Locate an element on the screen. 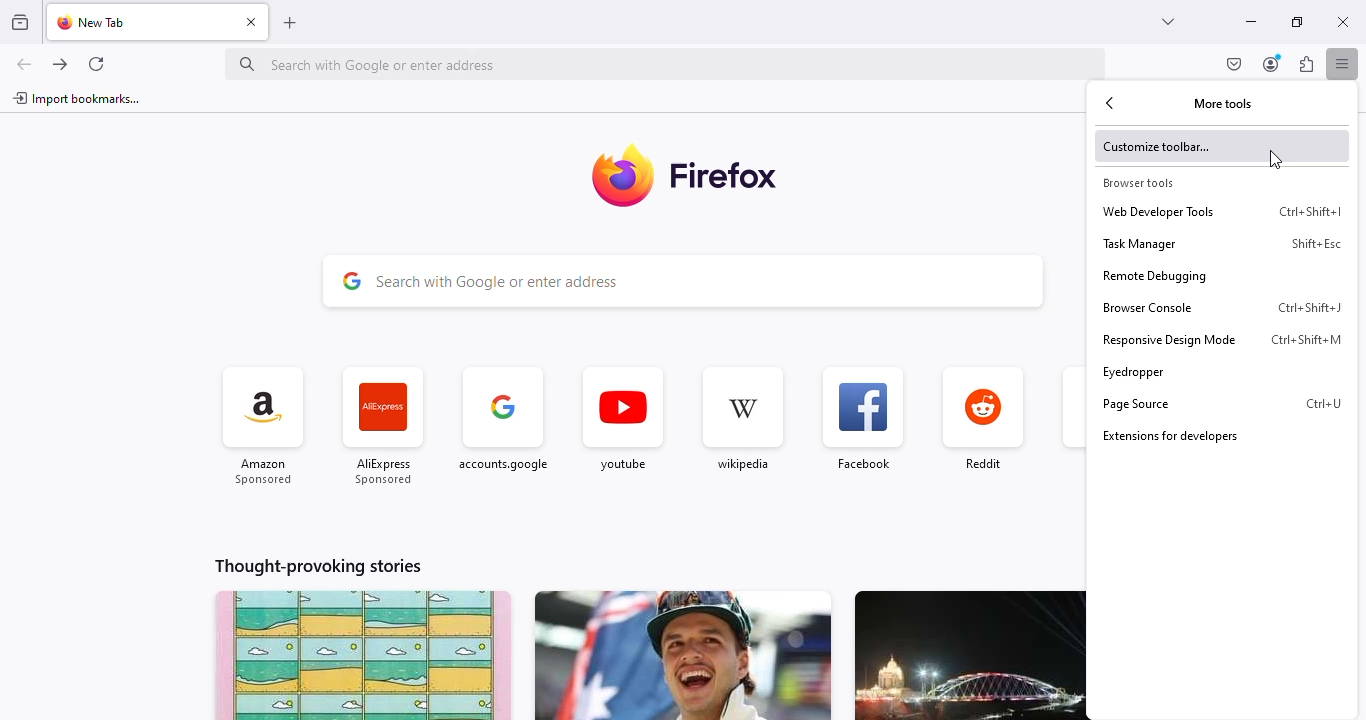  go forward  one page is located at coordinates (61, 64).